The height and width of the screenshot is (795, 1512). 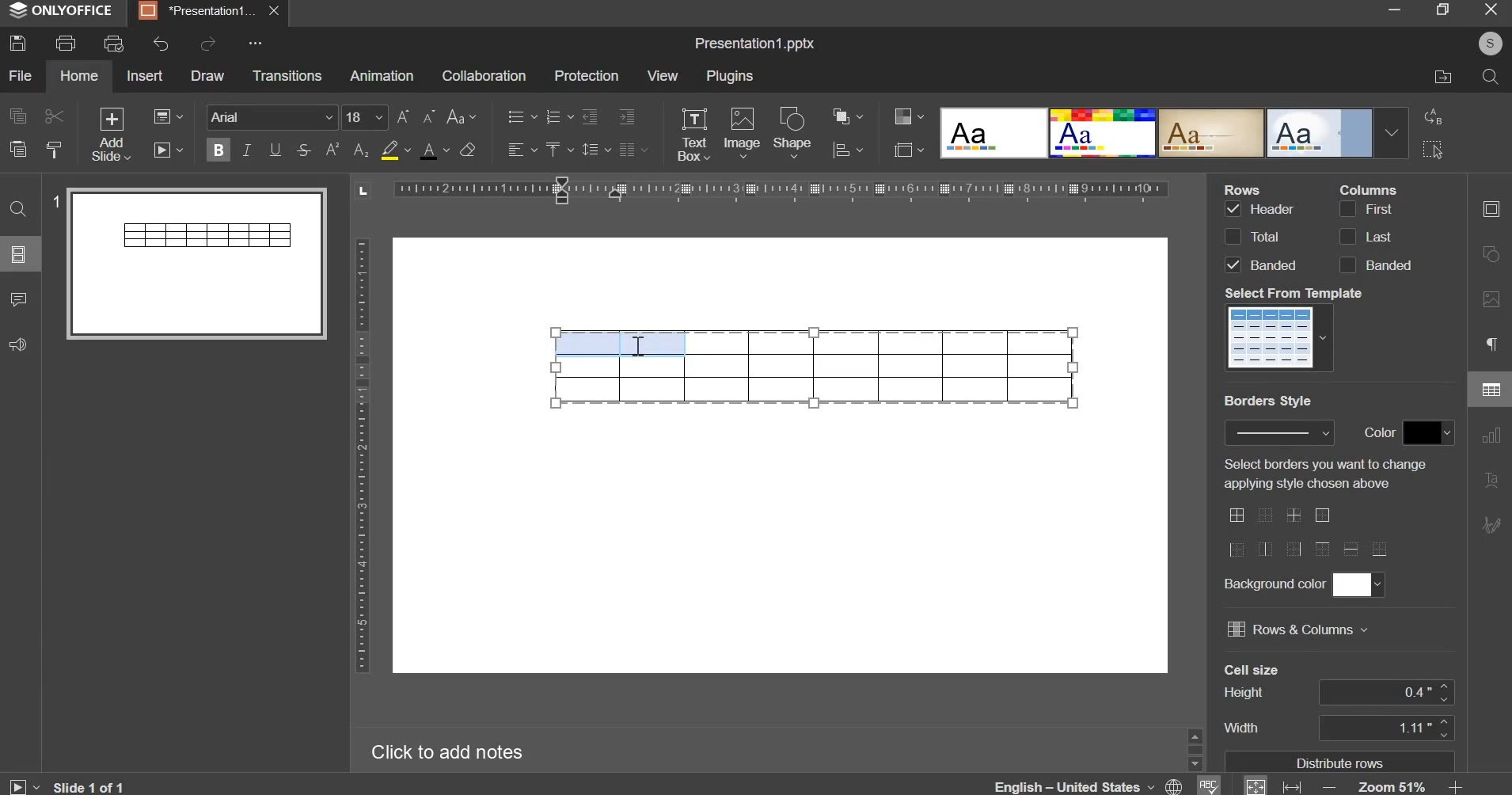 What do you see at coordinates (16, 345) in the screenshot?
I see `feedback` at bounding box center [16, 345].